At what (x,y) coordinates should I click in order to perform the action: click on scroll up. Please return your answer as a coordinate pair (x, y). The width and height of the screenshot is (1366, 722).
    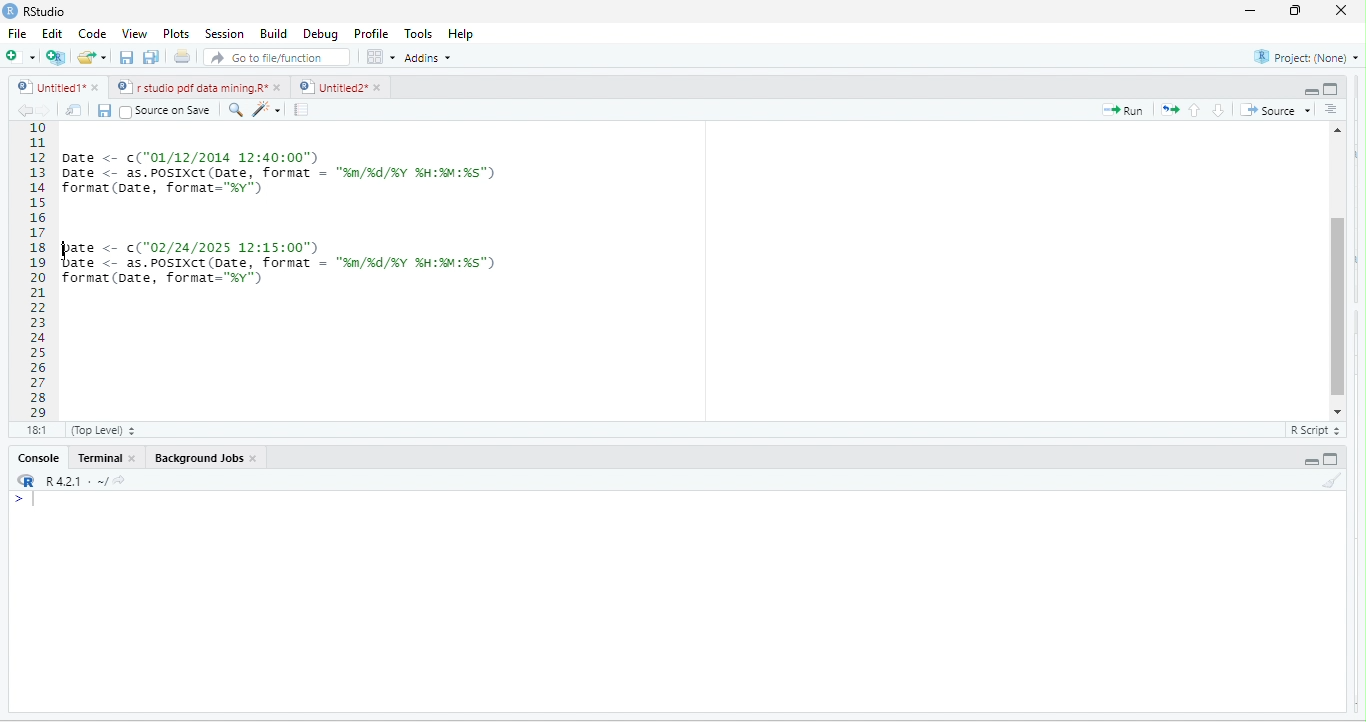
    Looking at the image, I should click on (1339, 128).